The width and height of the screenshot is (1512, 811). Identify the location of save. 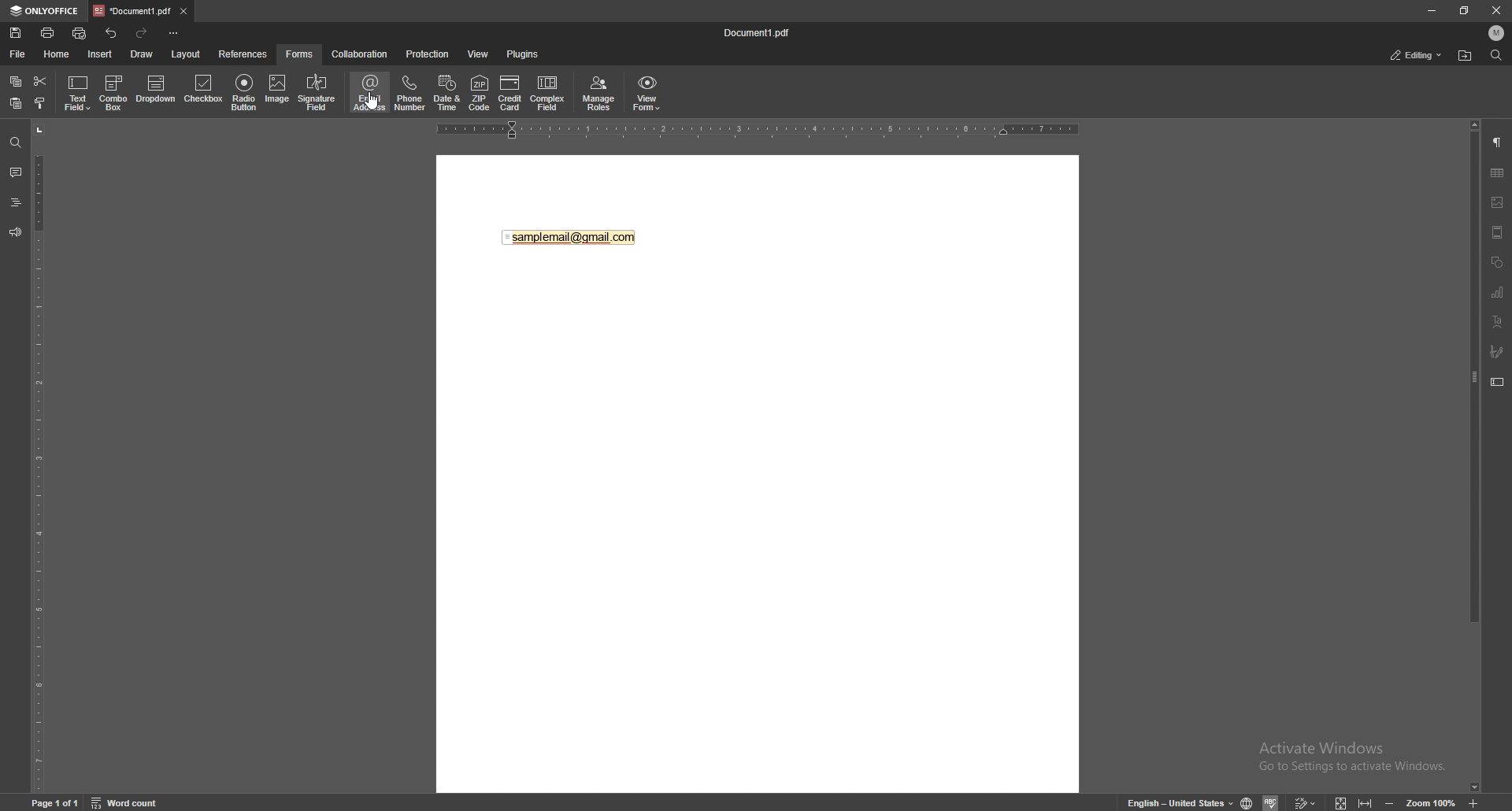
(16, 33).